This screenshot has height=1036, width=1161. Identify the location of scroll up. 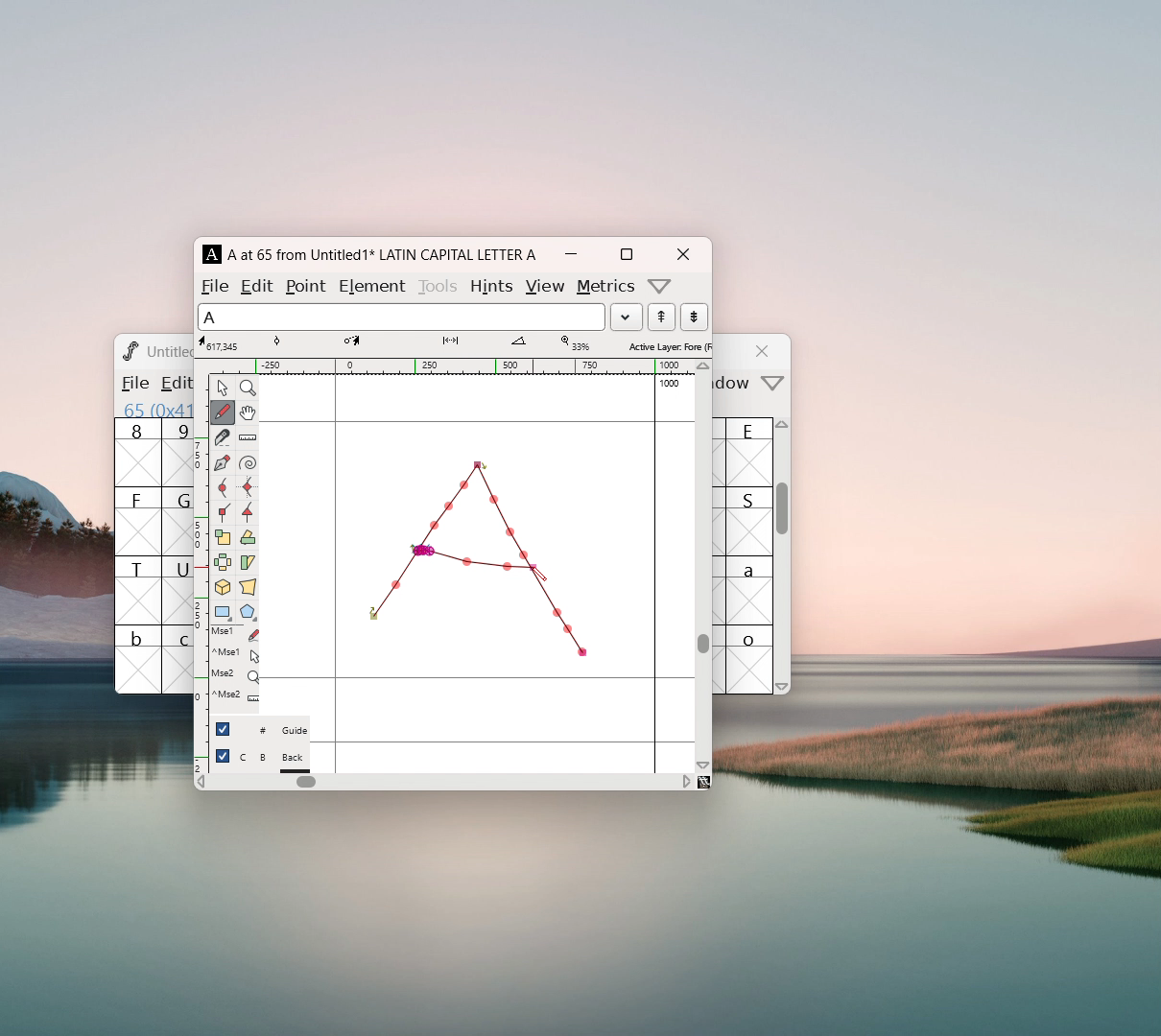
(784, 429).